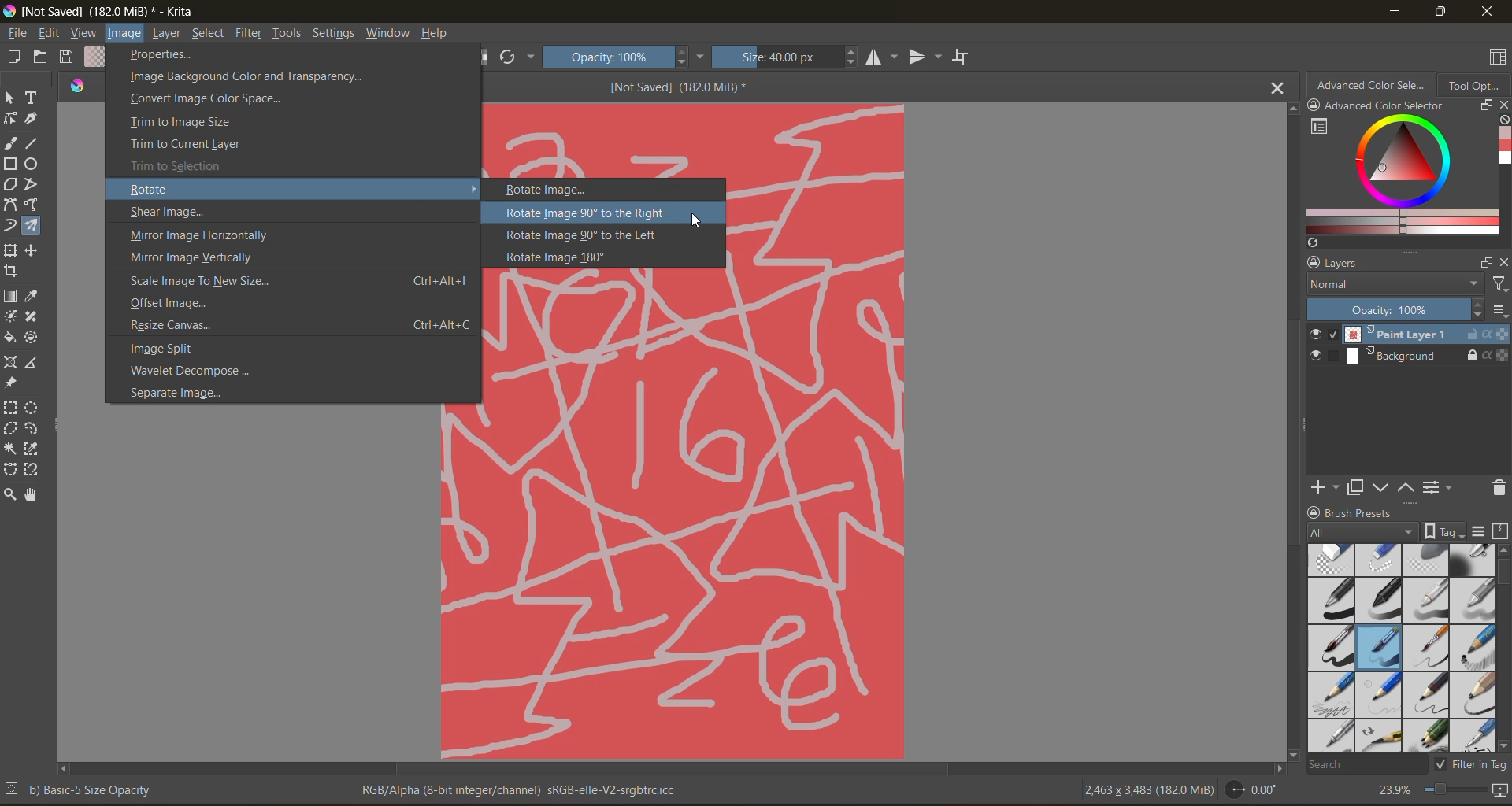 This screenshot has width=1512, height=806. What do you see at coordinates (679, 86) in the screenshot?
I see `[Not Saved] (182.0 MiB) *` at bounding box center [679, 86].